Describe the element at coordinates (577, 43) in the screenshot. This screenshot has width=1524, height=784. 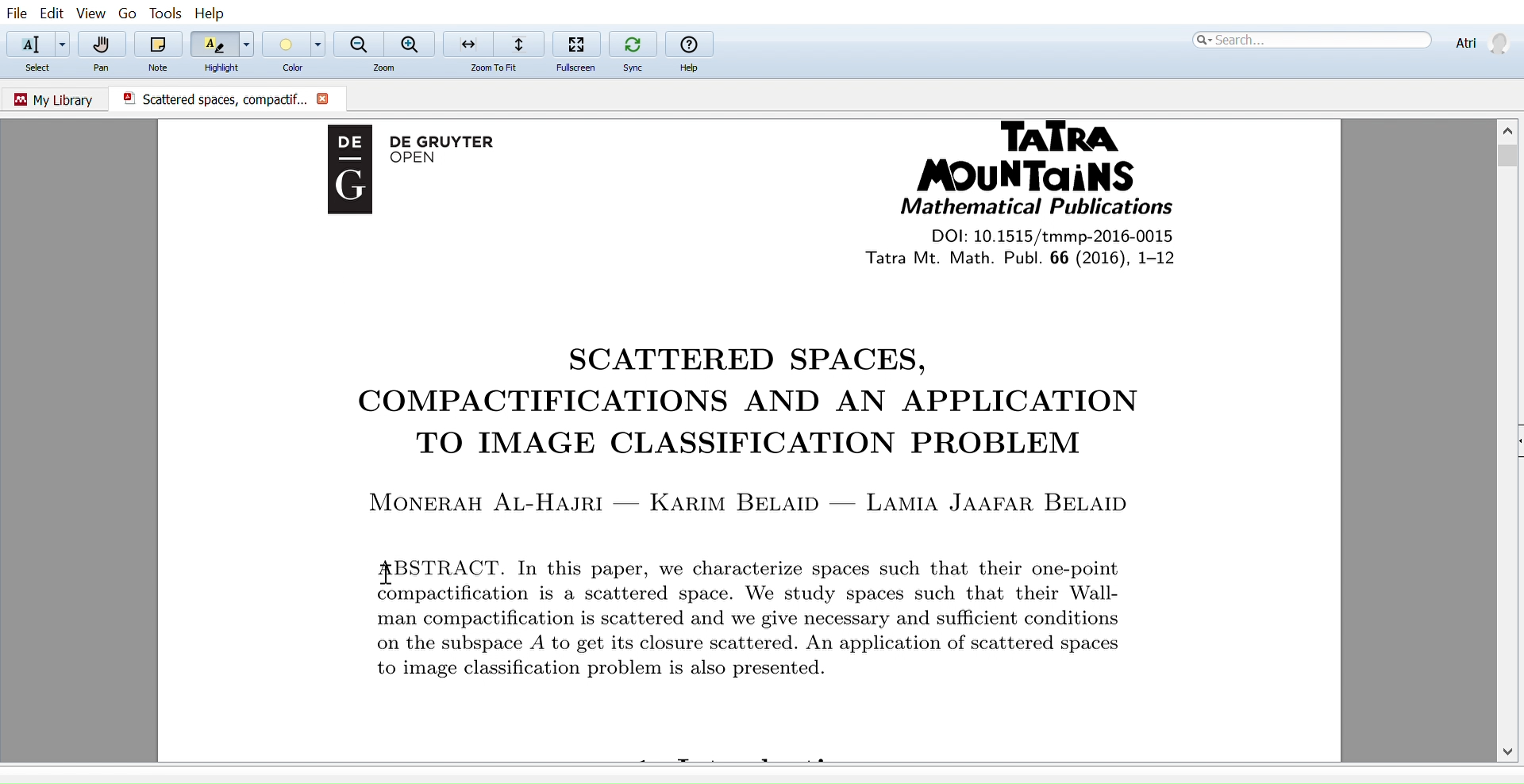
I see `Fullscreen` at that location.